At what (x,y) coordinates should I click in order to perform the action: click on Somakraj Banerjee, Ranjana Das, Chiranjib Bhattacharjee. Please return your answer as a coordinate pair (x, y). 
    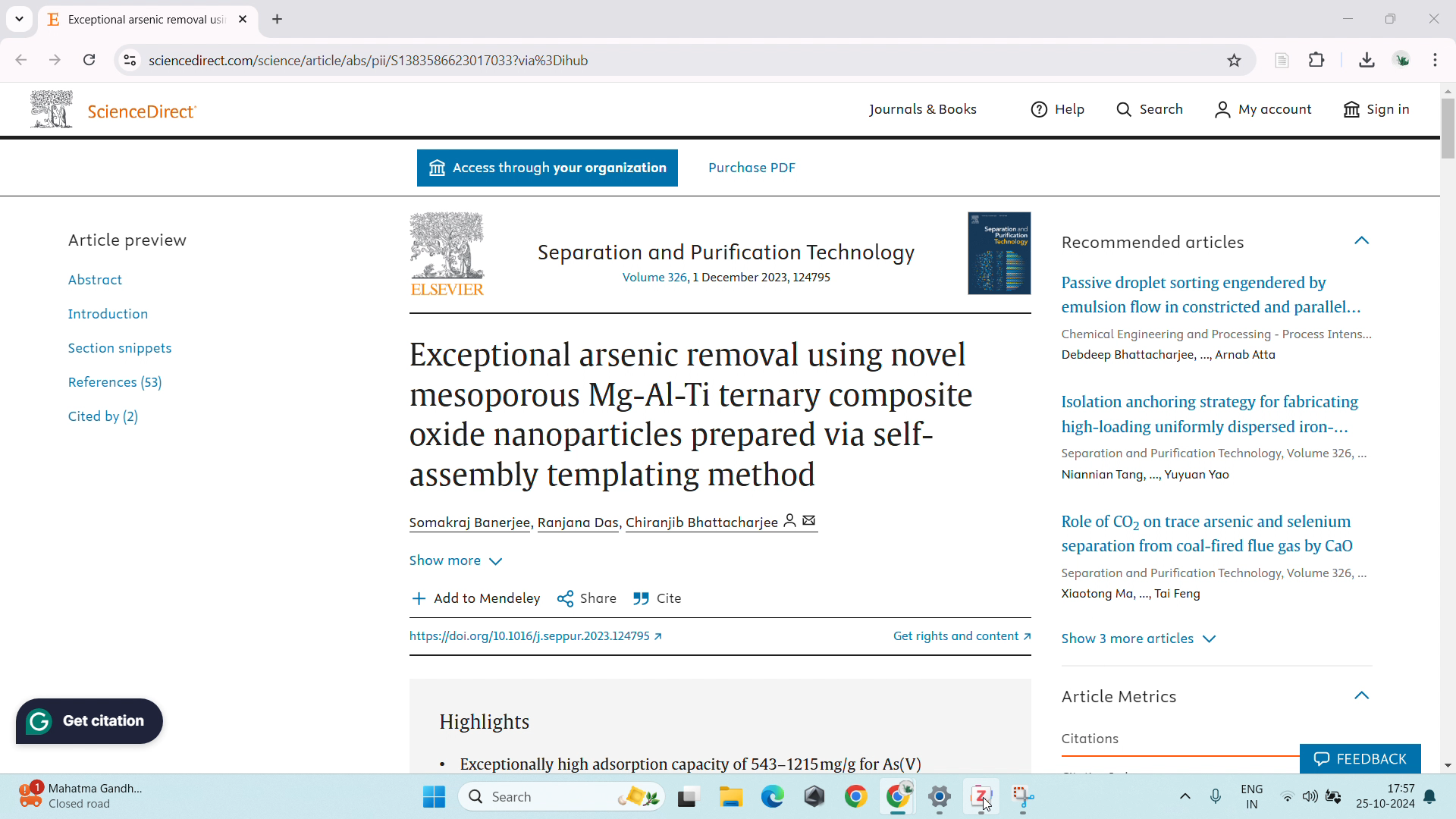
    Looking at the image, I should click on (620, 522).